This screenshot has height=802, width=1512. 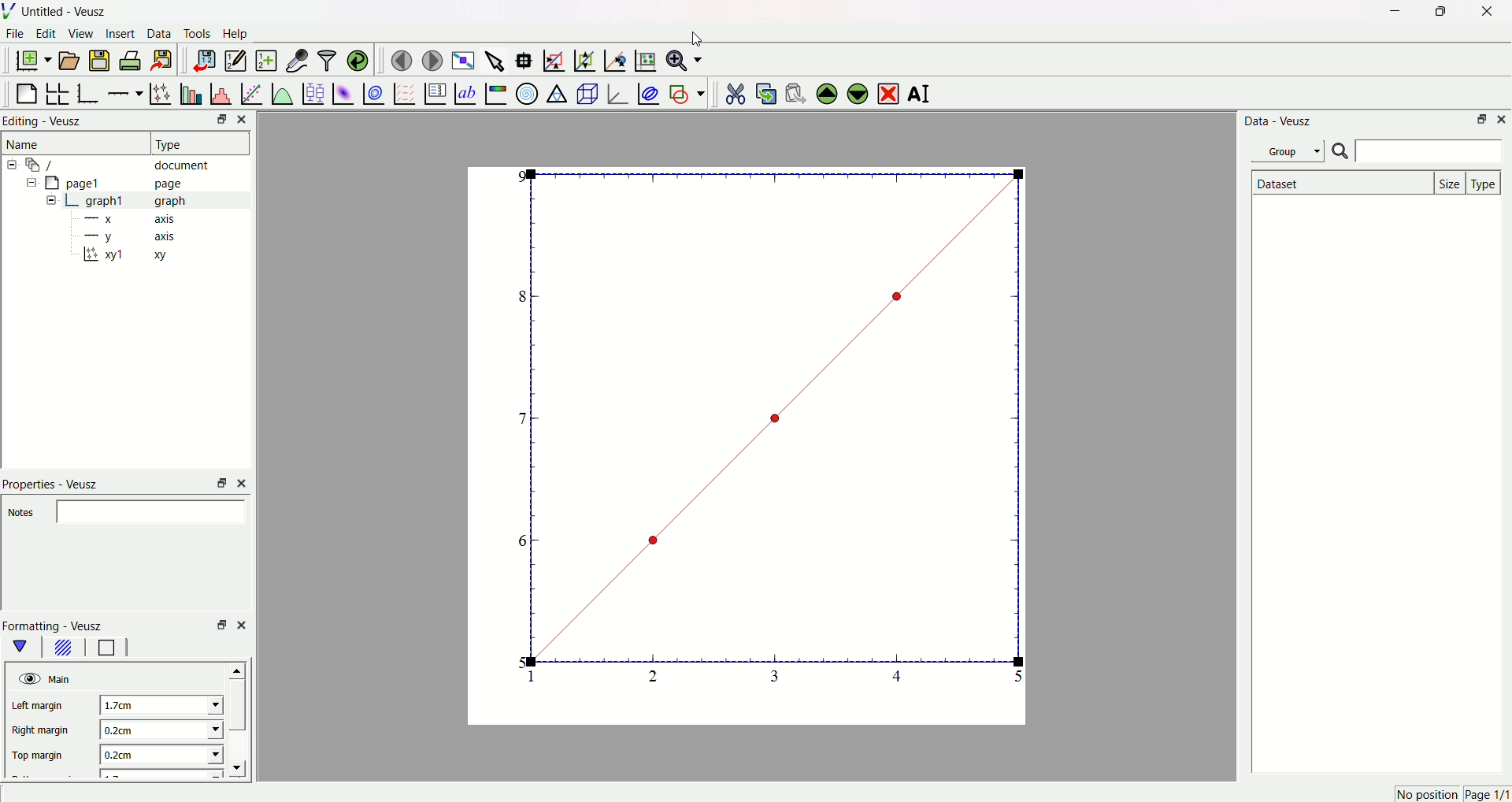 I want to click on ternary graphs, so click(x=556, y=91).